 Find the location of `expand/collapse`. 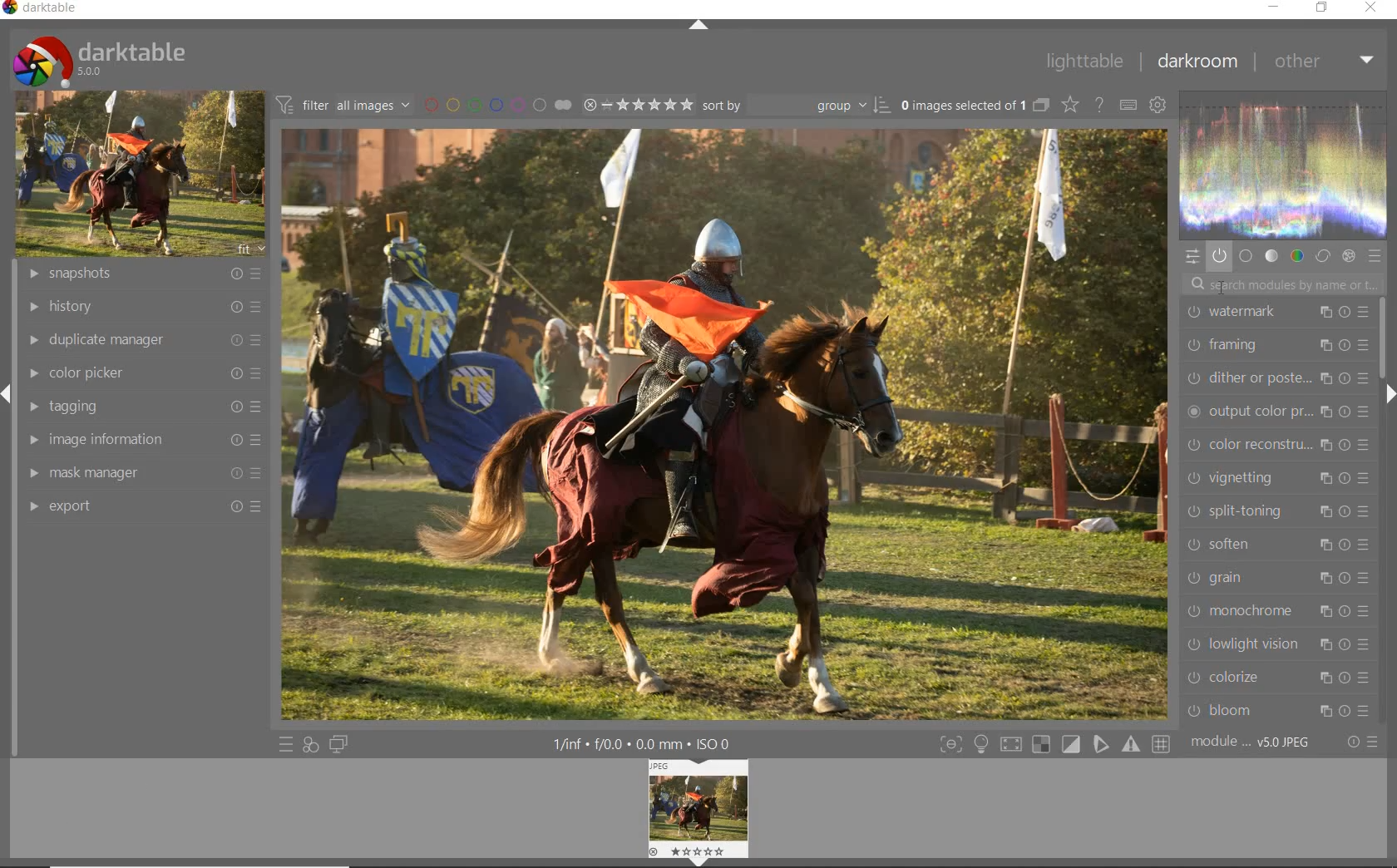

expand/collapse is located at coordinates (1390, 397).